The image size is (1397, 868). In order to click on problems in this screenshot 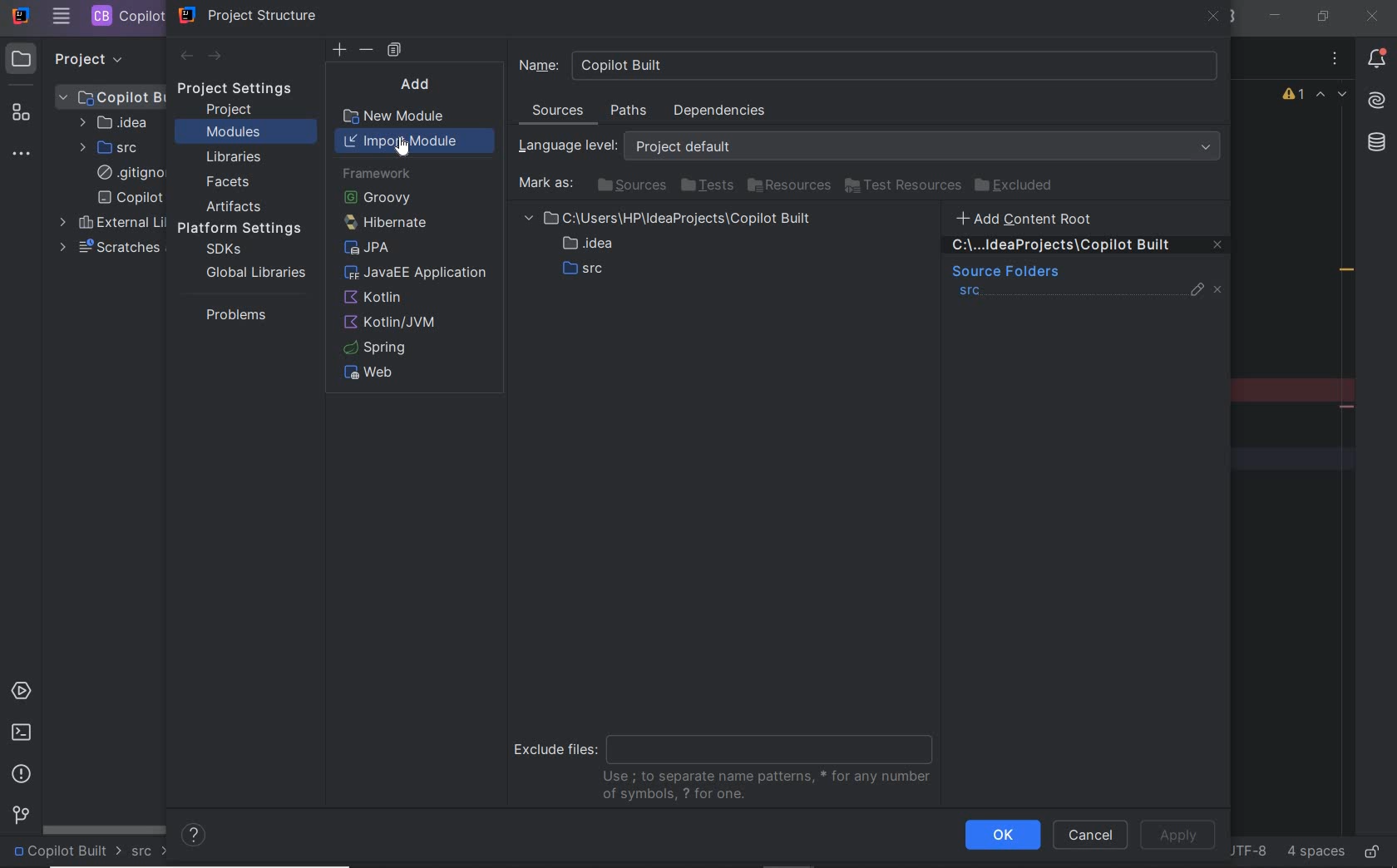, I will do `click(232, 314)`.